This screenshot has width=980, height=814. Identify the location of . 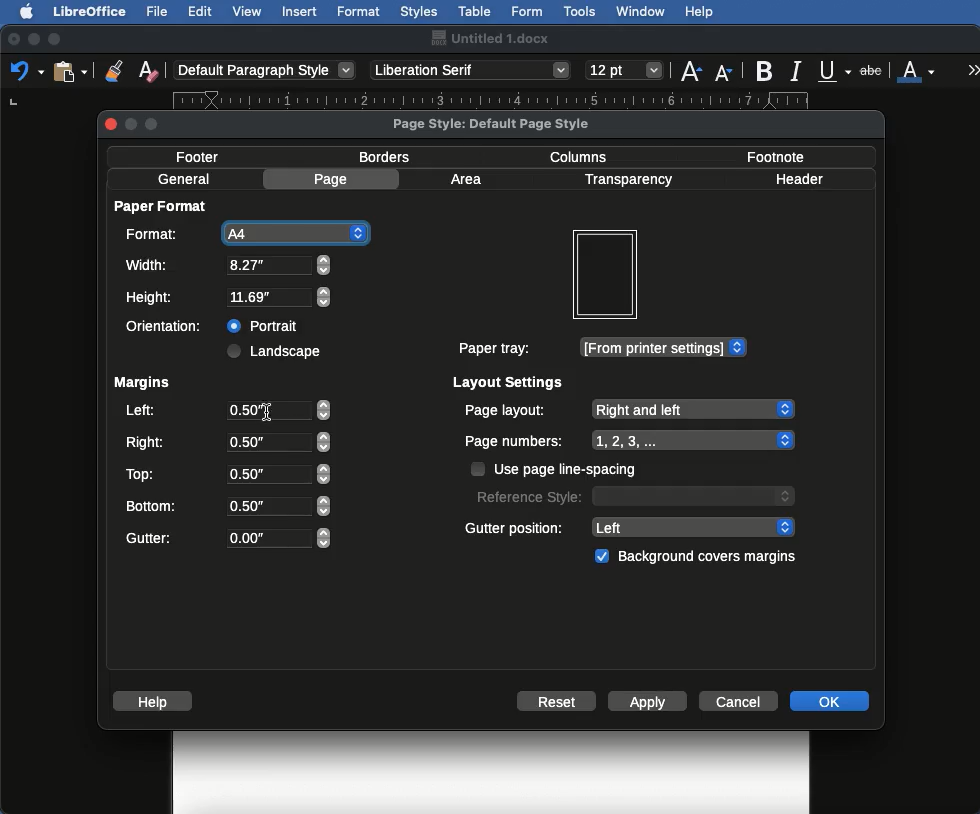
(265, 409).